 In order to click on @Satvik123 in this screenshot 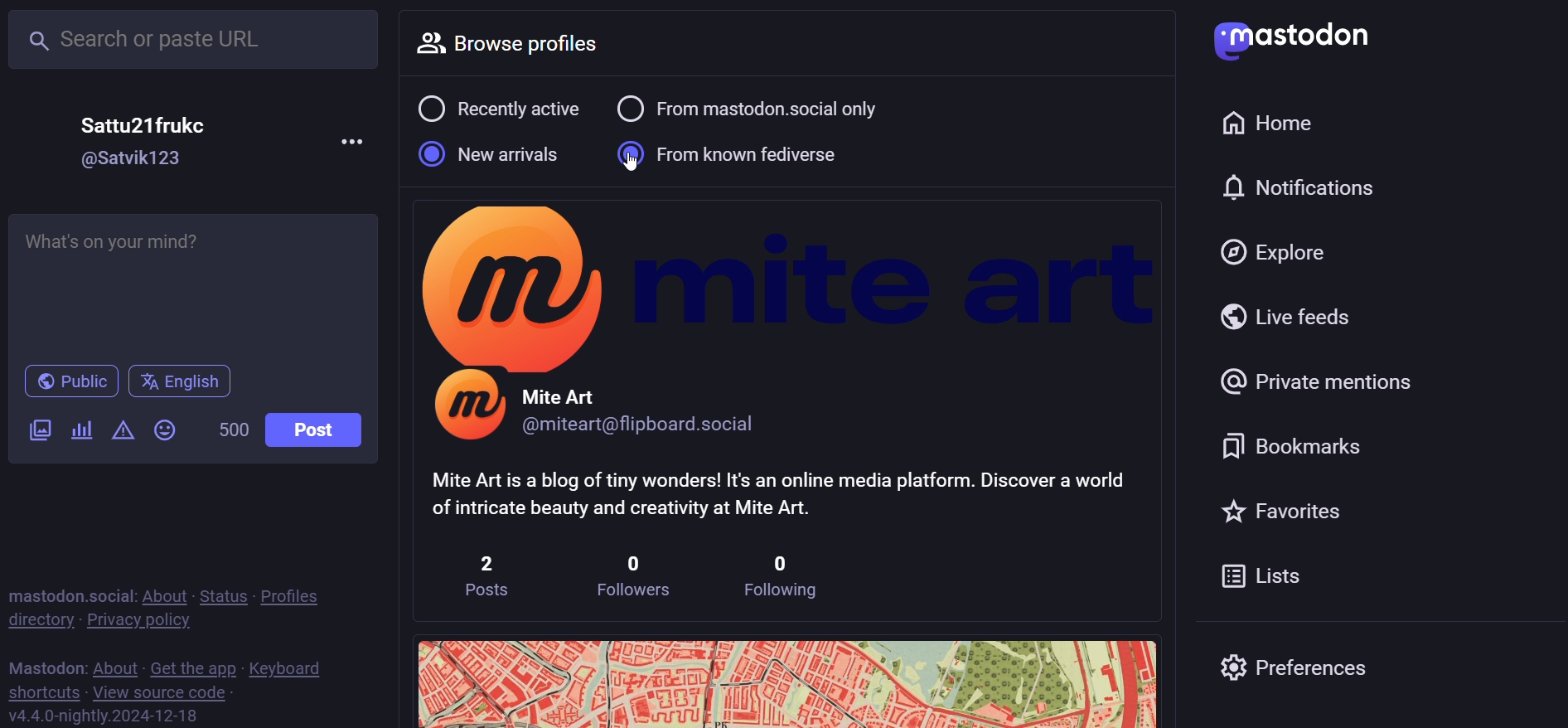, I will do `click(134, 159)`.